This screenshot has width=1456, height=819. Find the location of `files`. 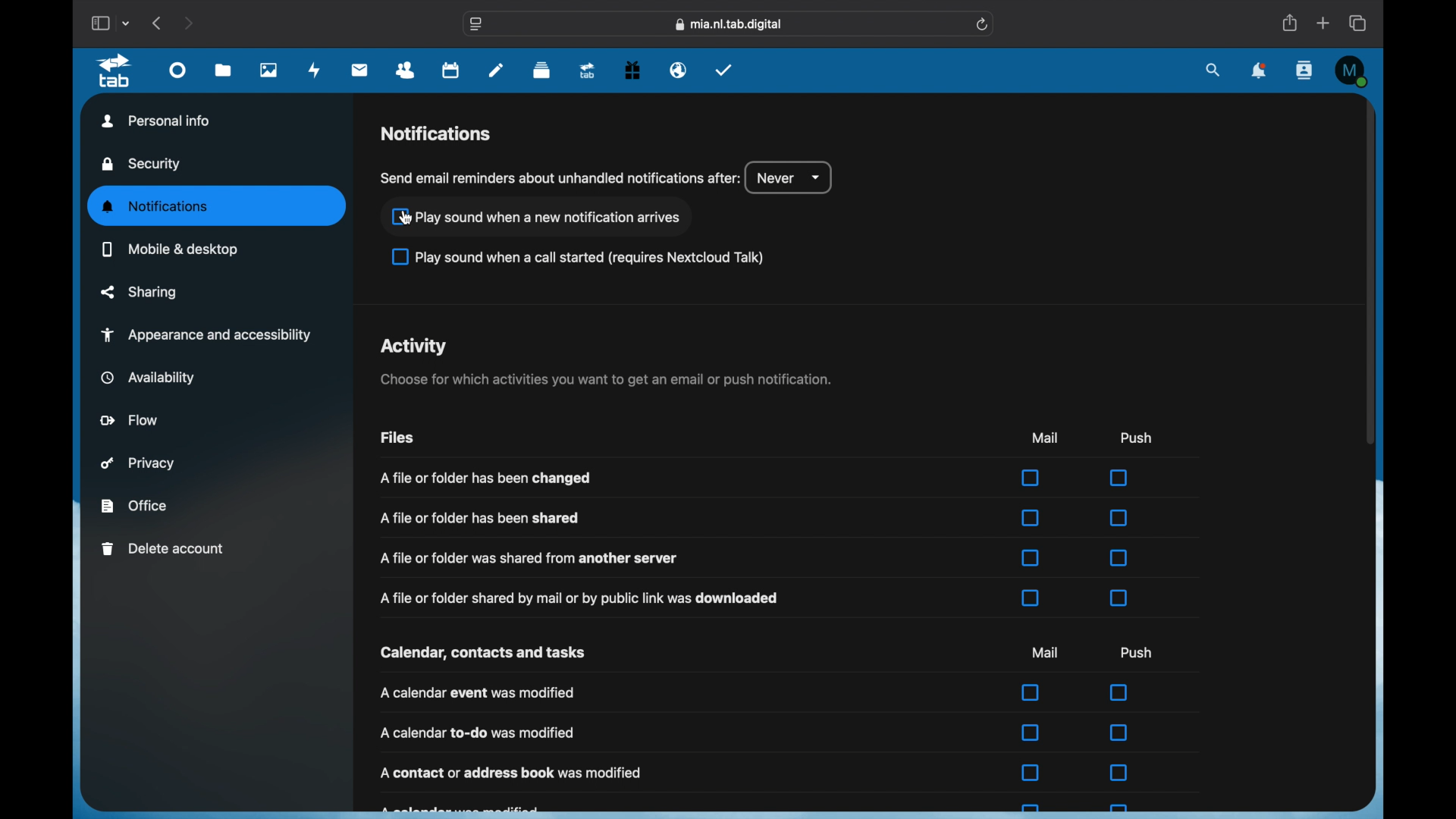

files is located at coordinates (224, 71).